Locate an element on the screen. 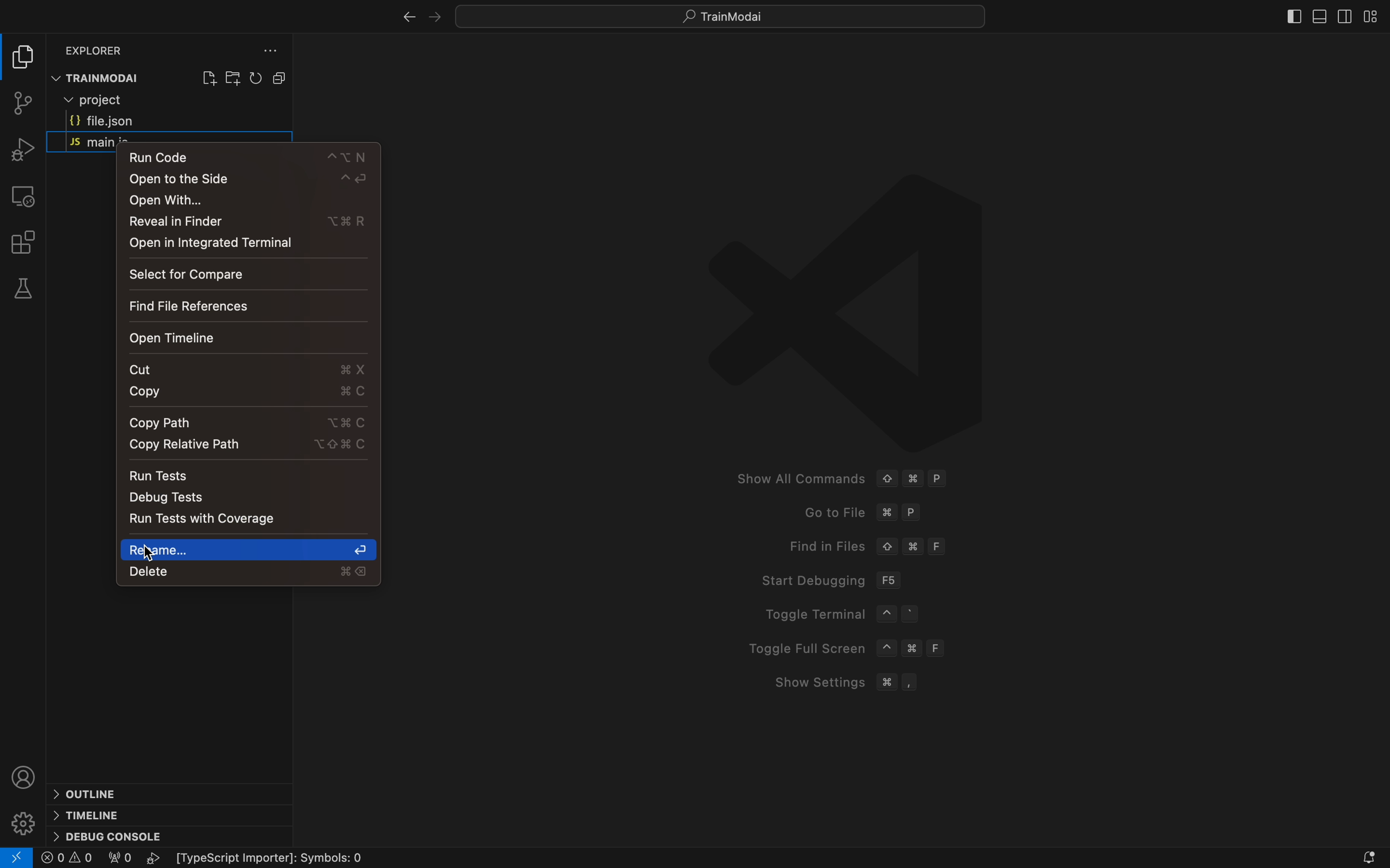 The image size is (1390, 868). reload is located at coordinates (256, 77).